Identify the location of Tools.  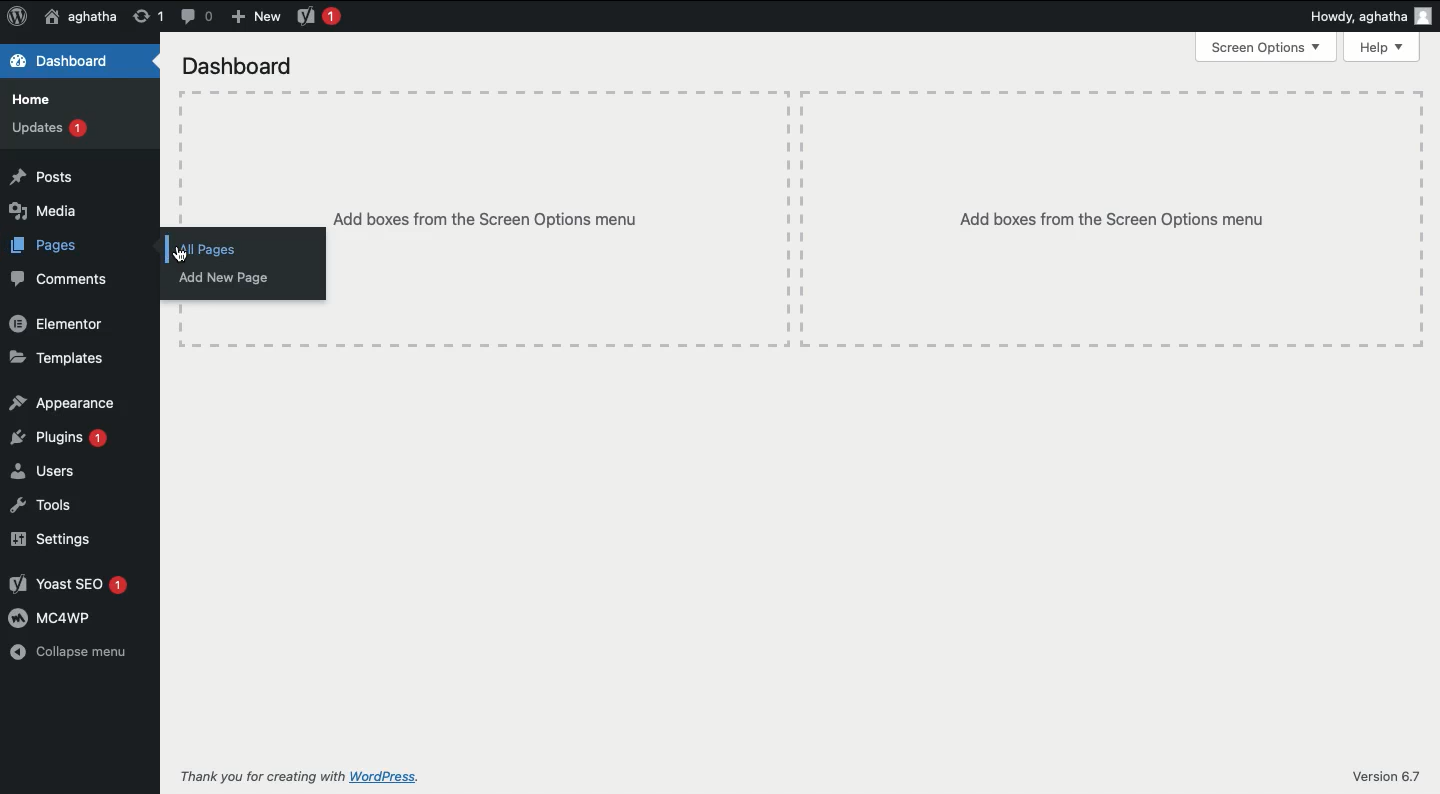
(39, 504).